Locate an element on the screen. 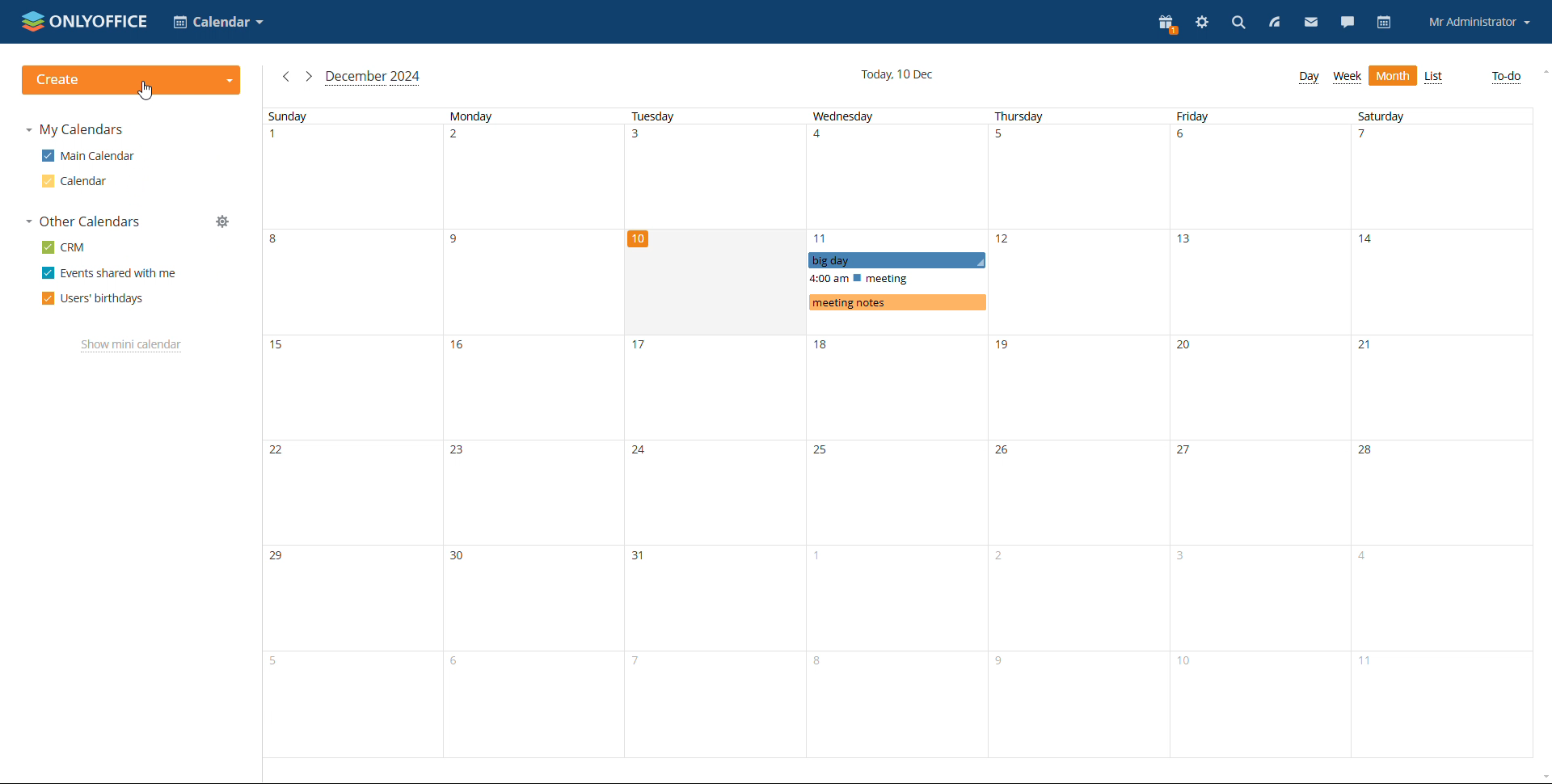  previous month is located at coordinates (286, 77).